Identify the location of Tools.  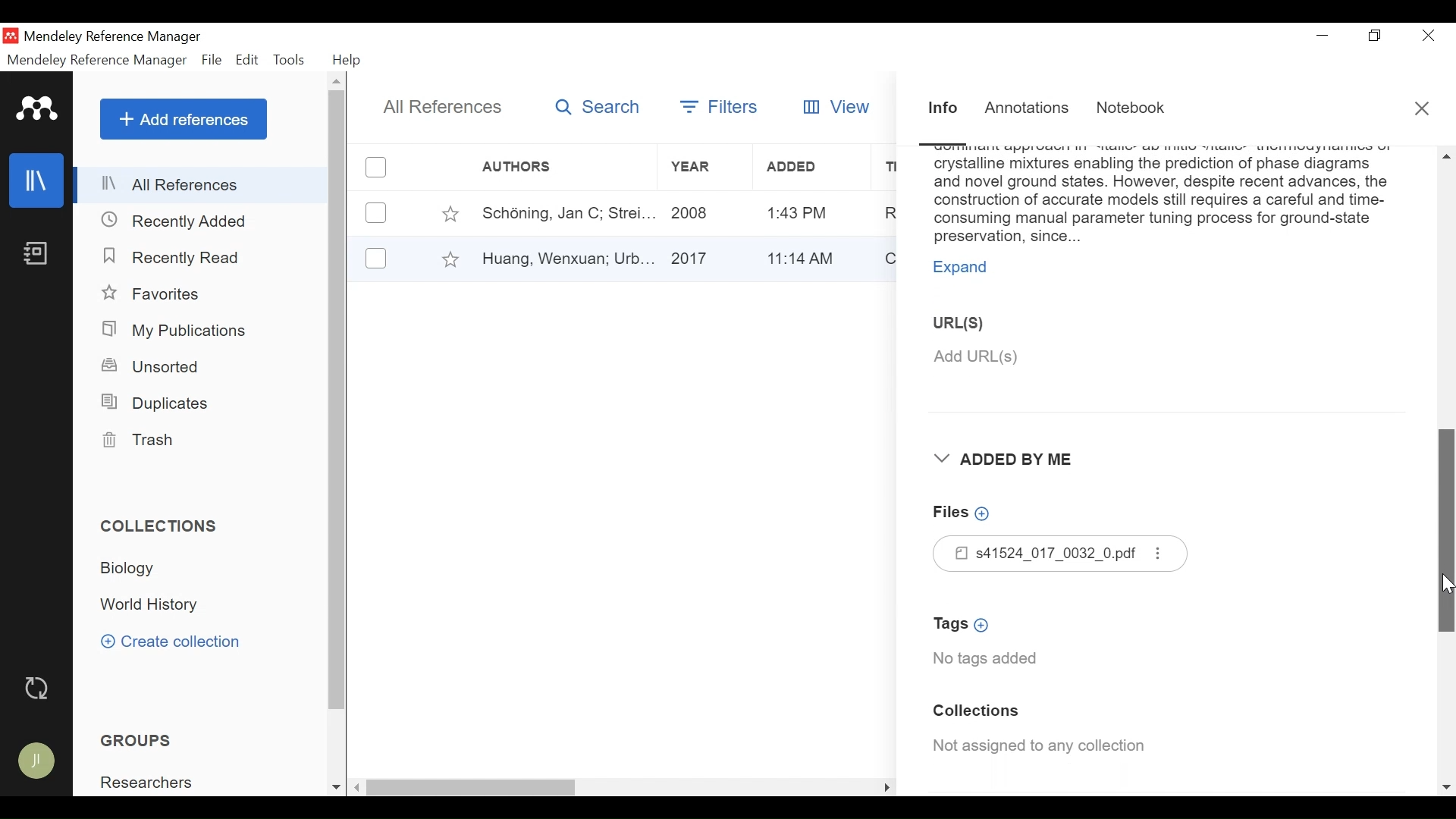
(289, 60).